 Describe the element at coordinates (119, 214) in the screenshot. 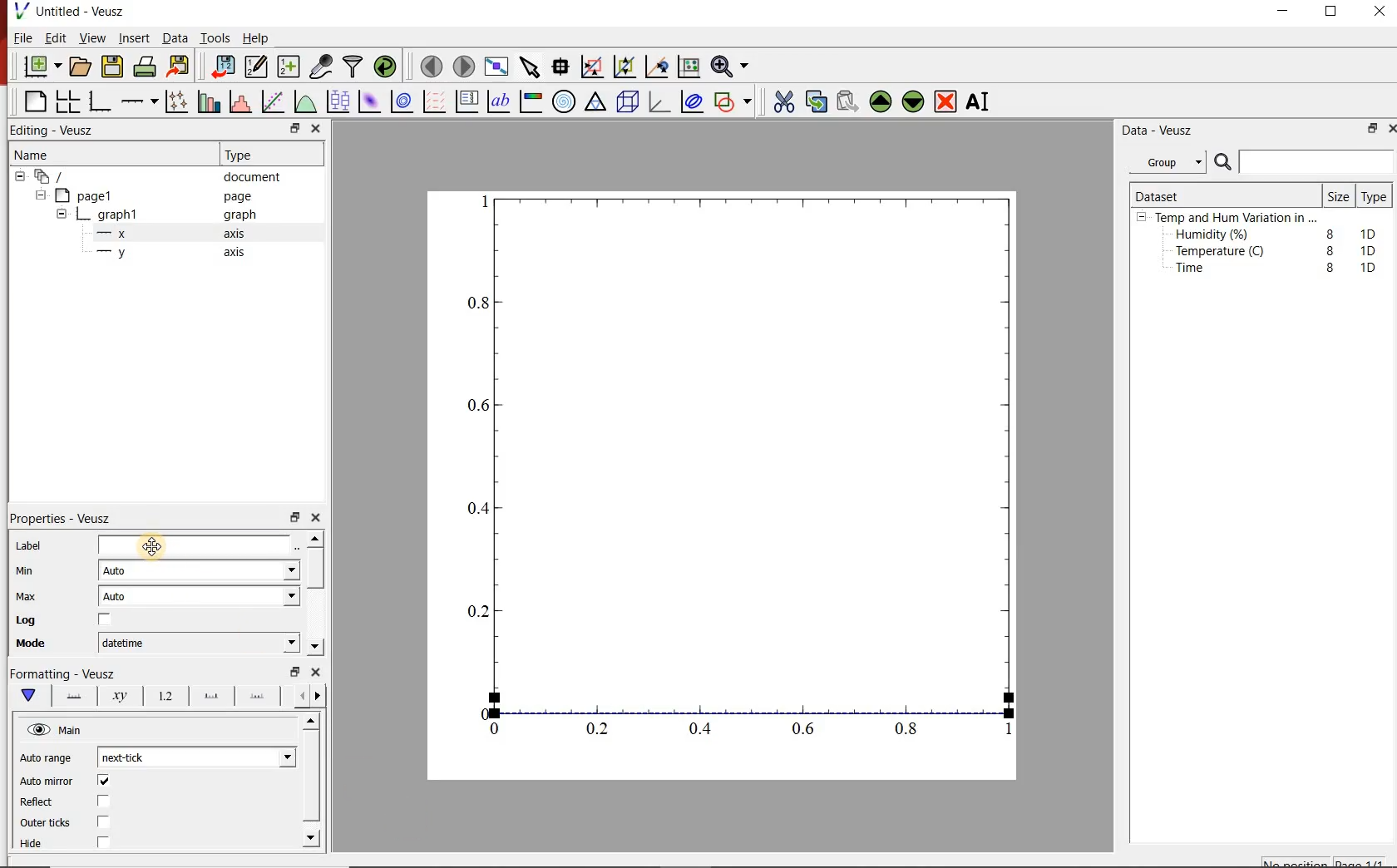

I see `graph` at that location.